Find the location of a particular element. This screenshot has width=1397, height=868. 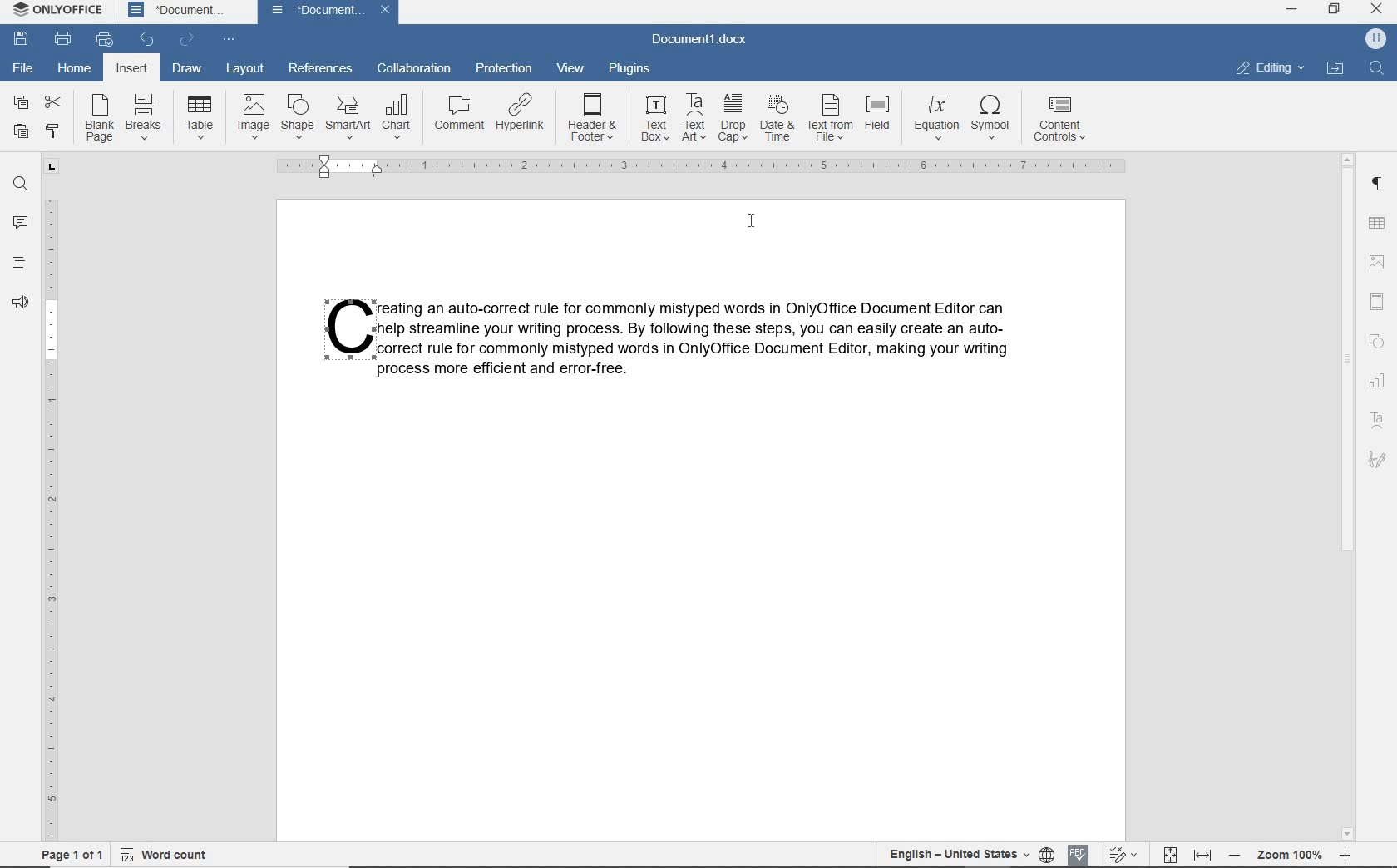

text art is located at coordinates (693, 118).